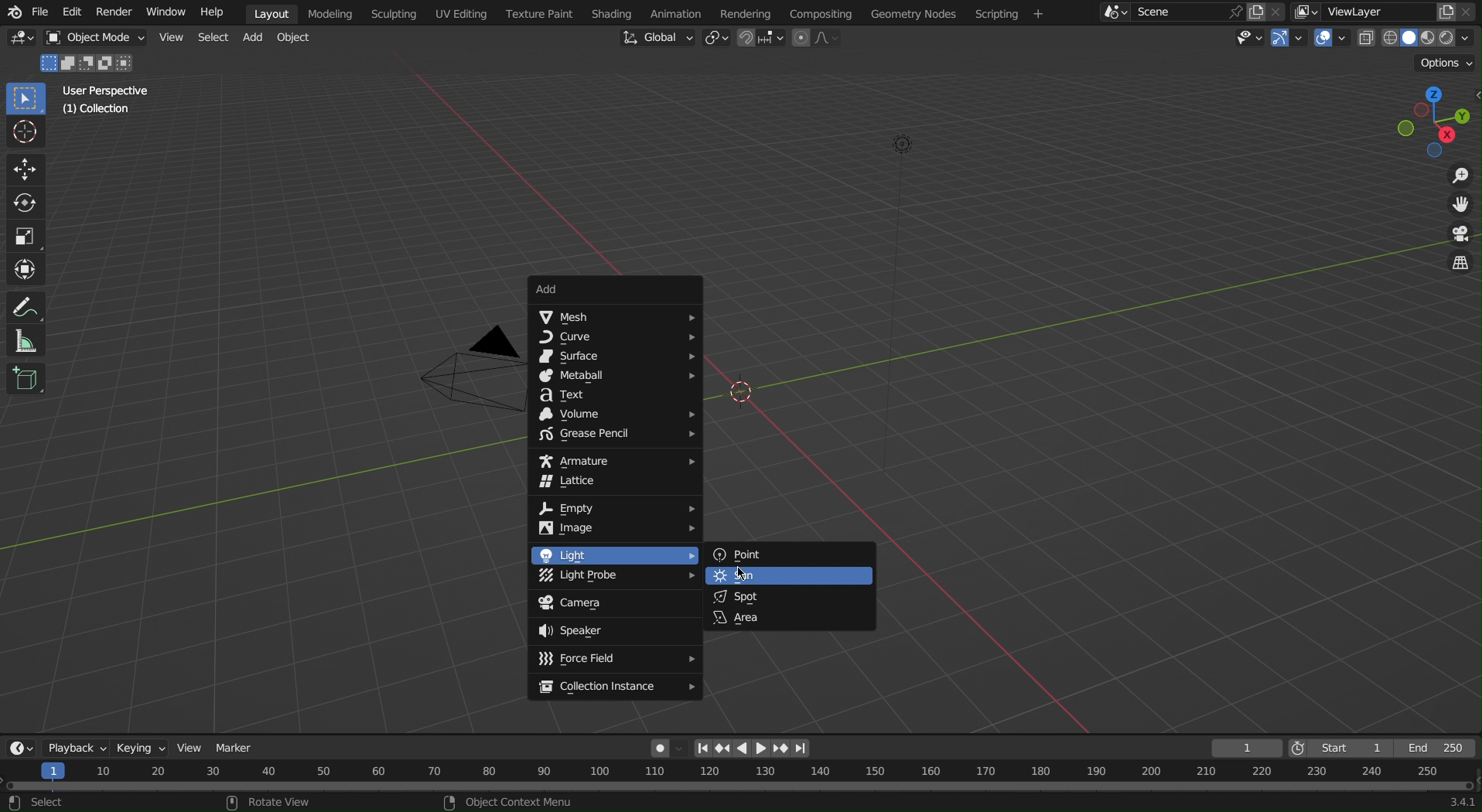  Describe the element at coordinates (761, 749) in the screenshot. I see `play` at that location.